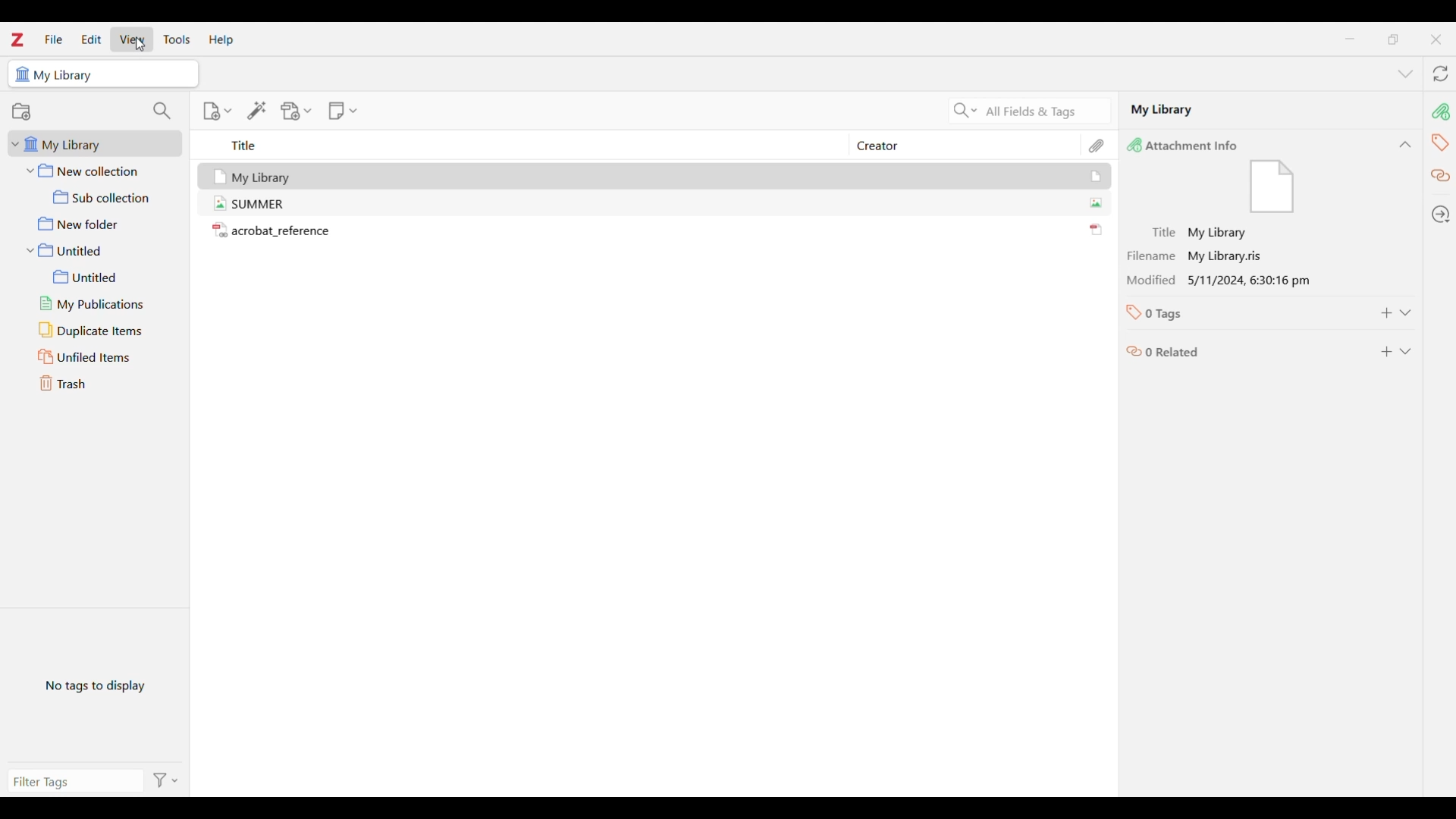 The width and height of the screenshot is (1456, 819). Describe the element at coordinates (99, 250) in the screenshot. I see `Untitled folder` at that location.